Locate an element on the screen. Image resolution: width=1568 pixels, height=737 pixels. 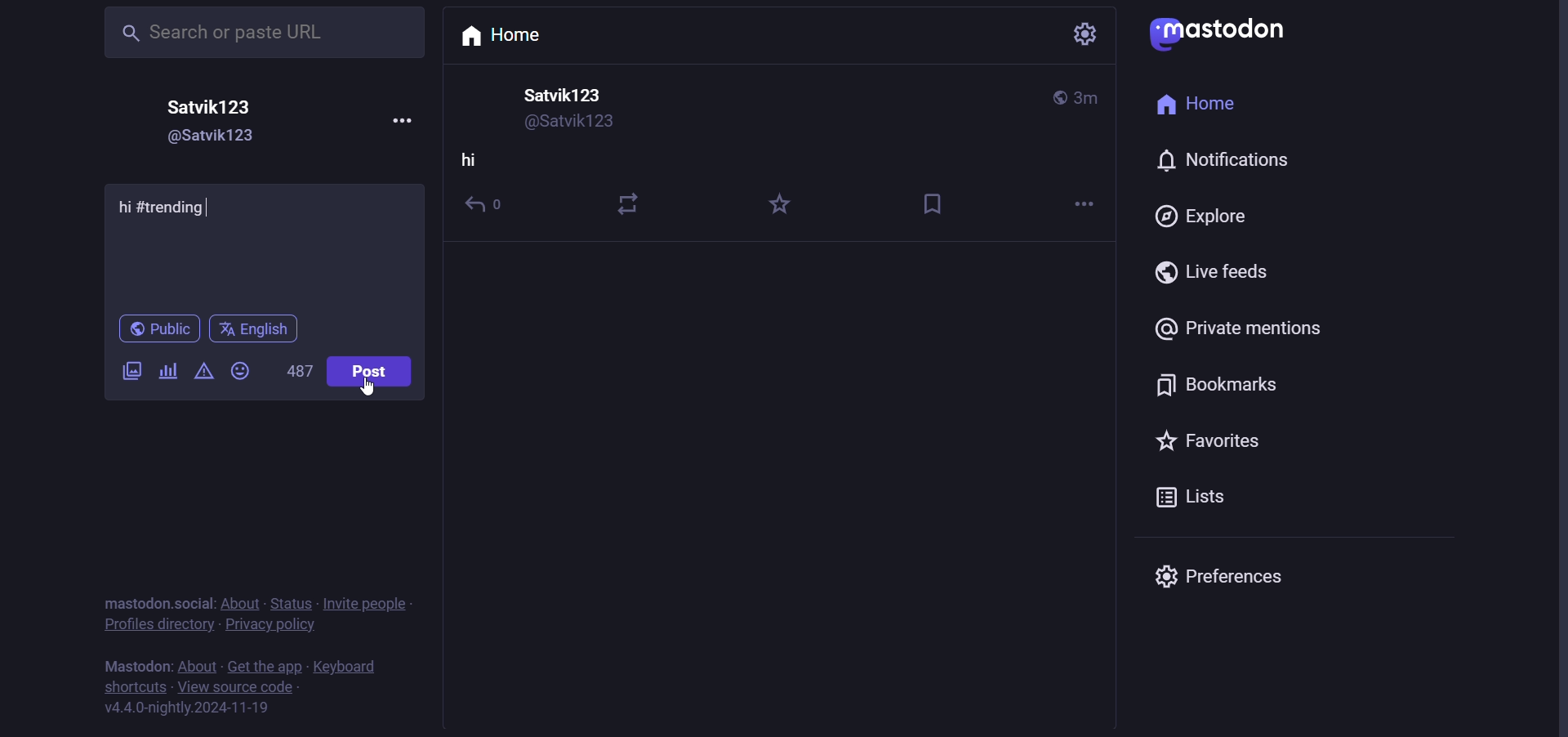
hi is located at coordinates (470, 163).